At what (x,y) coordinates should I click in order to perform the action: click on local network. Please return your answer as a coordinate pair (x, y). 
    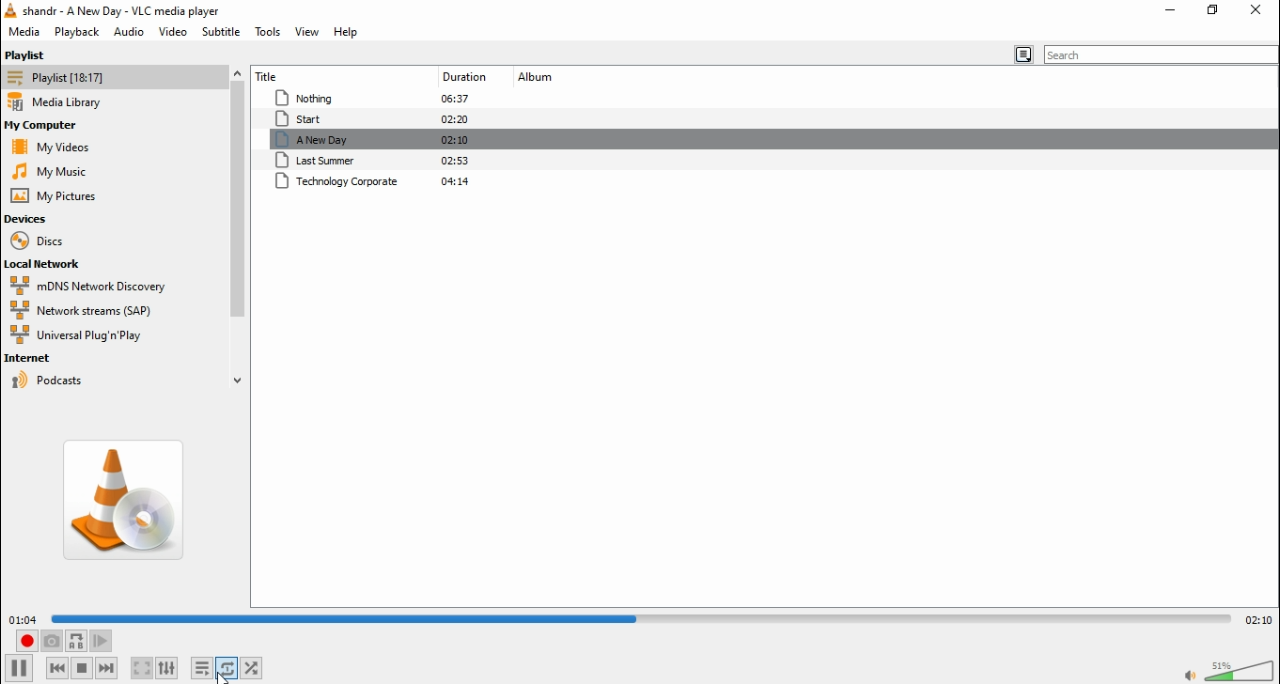
    Looking at the image, I should click on (46, 265).